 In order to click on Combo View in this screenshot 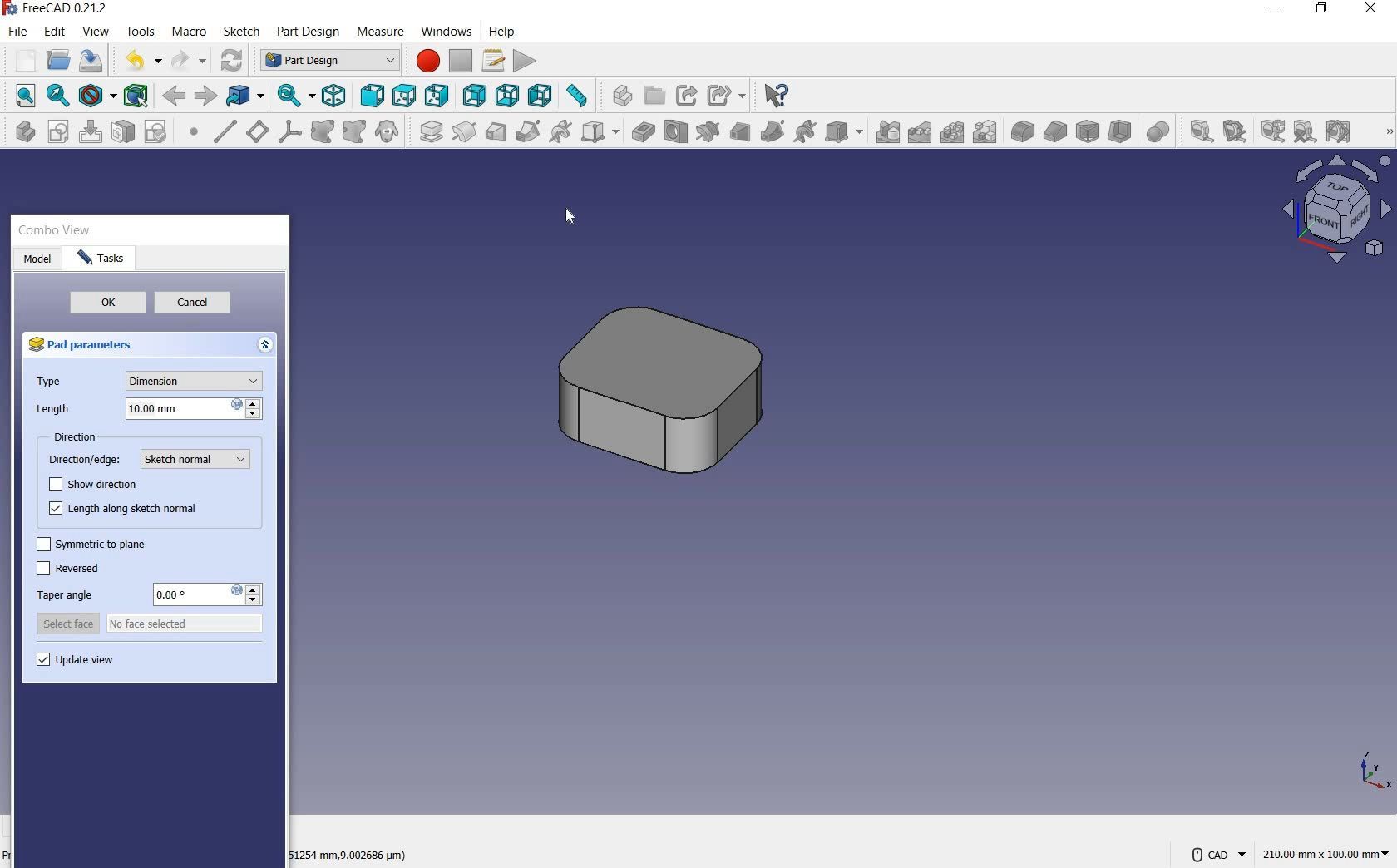, I will do `click(57, 231)`.